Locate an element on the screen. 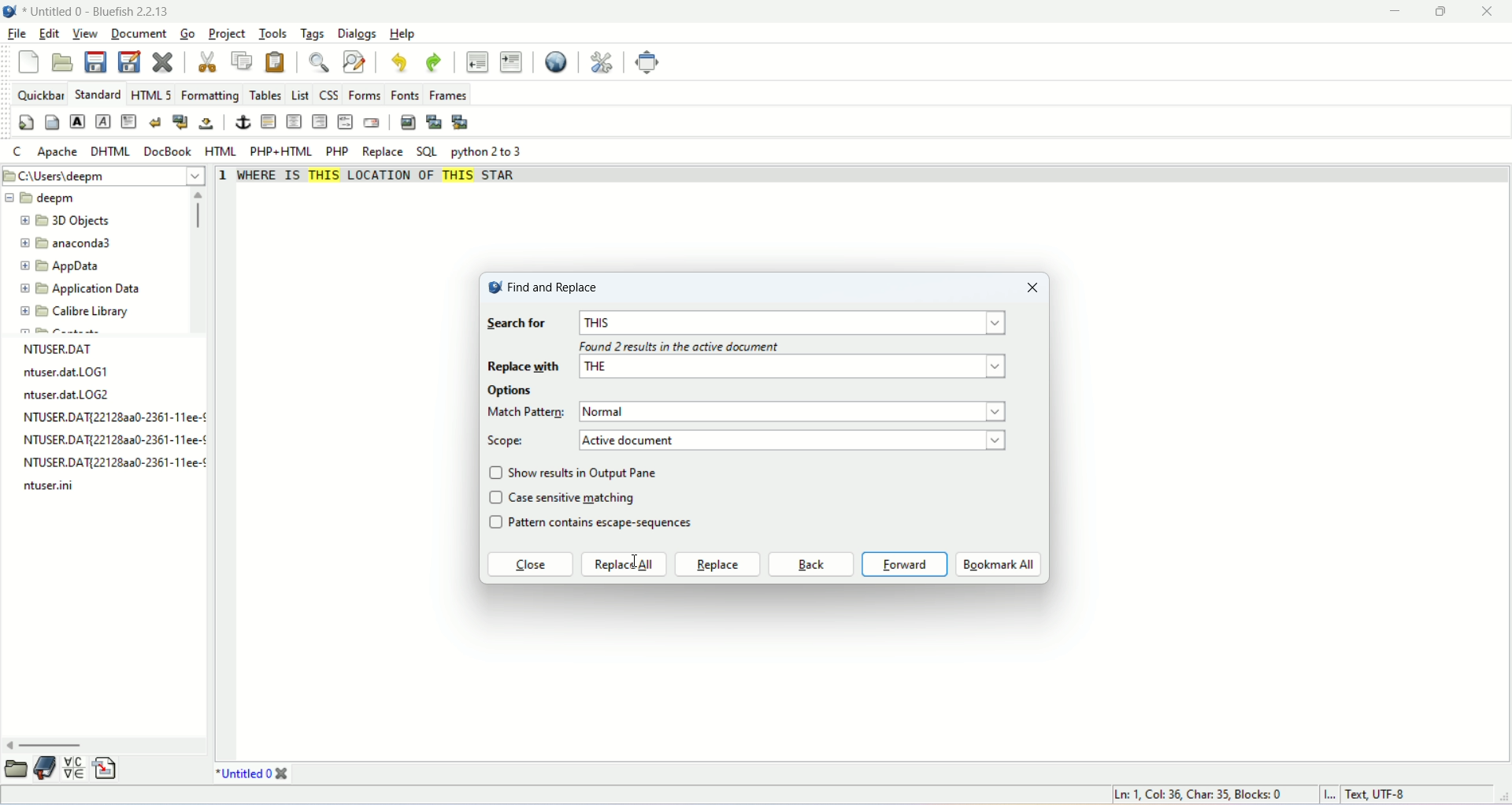 The height and width of the screenshot is (805, 1512). HTML5 is located at coordinates (149, 95).